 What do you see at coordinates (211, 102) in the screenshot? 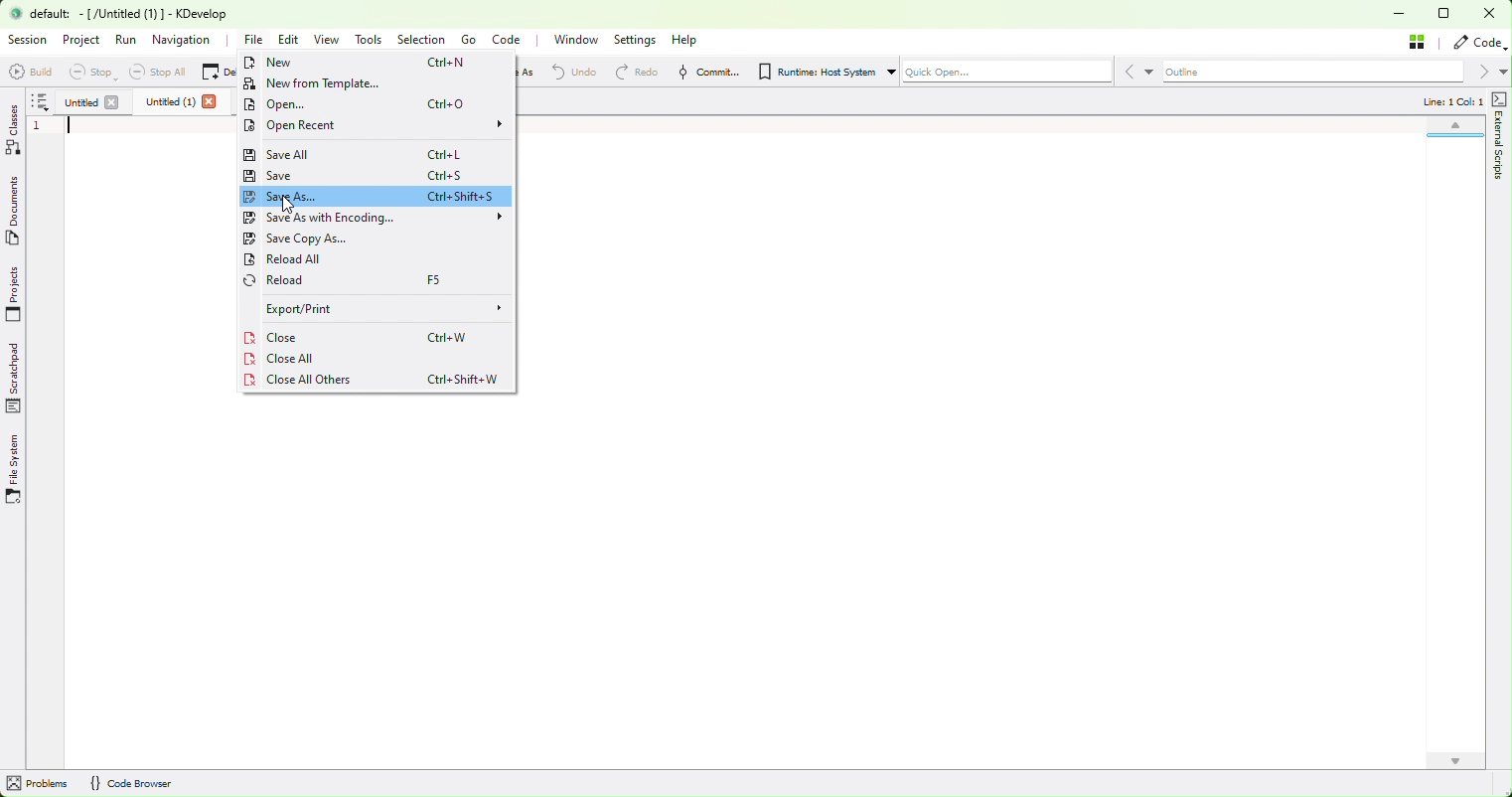
I see `close file` at bounding box center [211, 102].